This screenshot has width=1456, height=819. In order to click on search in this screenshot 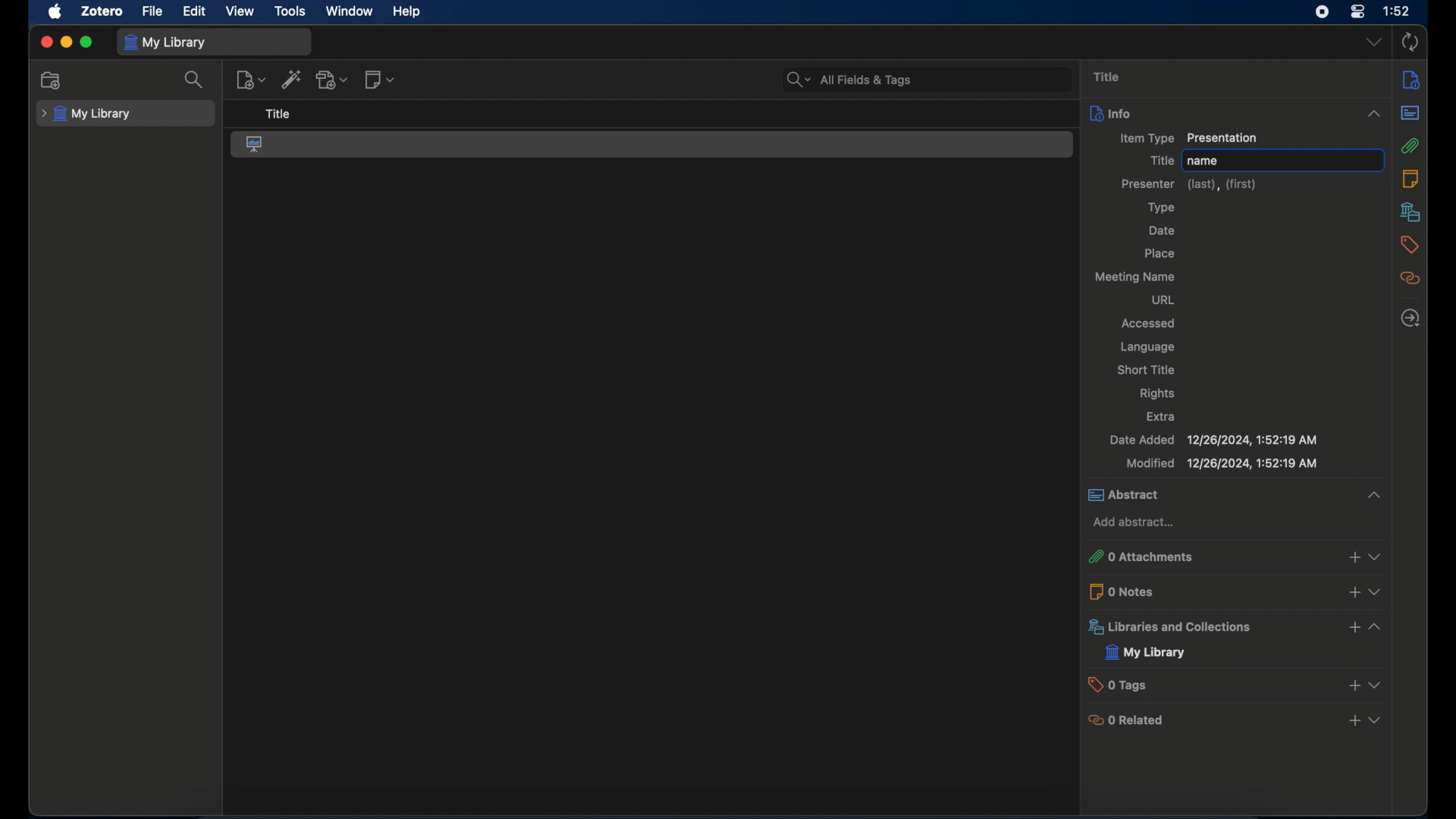, I will do `click(196, 80)`.